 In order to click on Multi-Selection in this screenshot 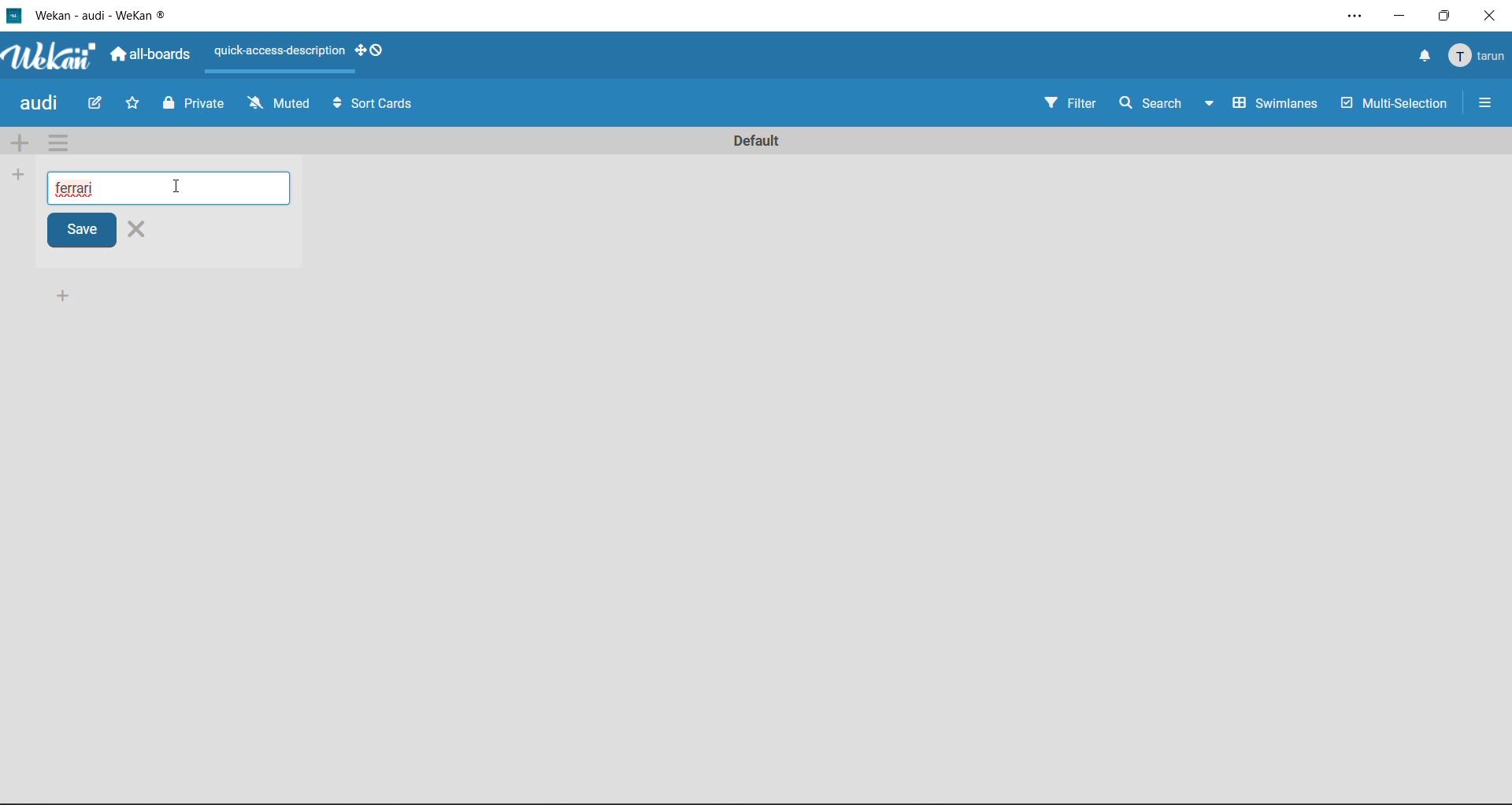, I will do `click(1397, 106)`.